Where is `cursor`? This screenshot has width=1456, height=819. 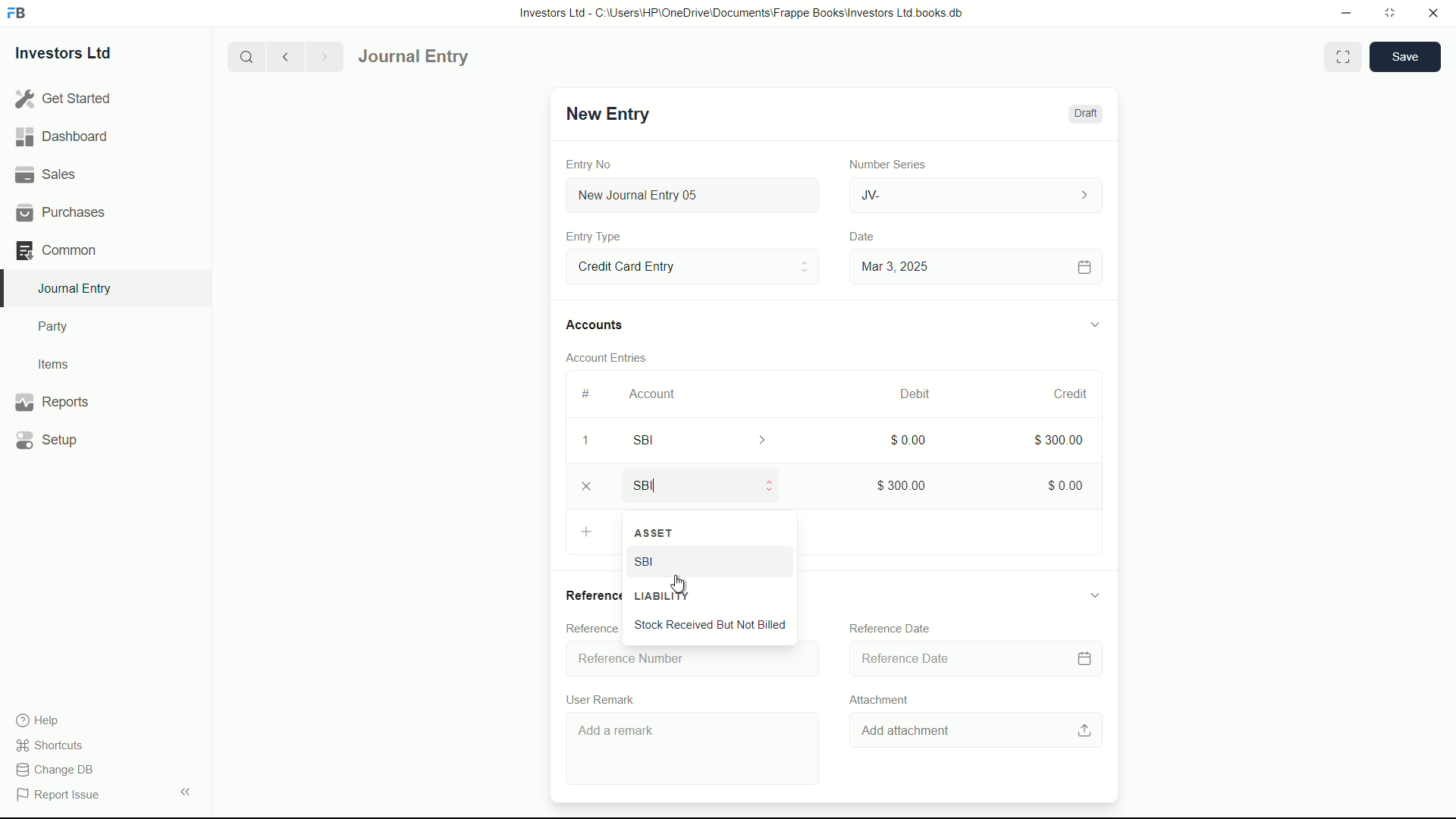
cursor is located at coordinates (678, 581).